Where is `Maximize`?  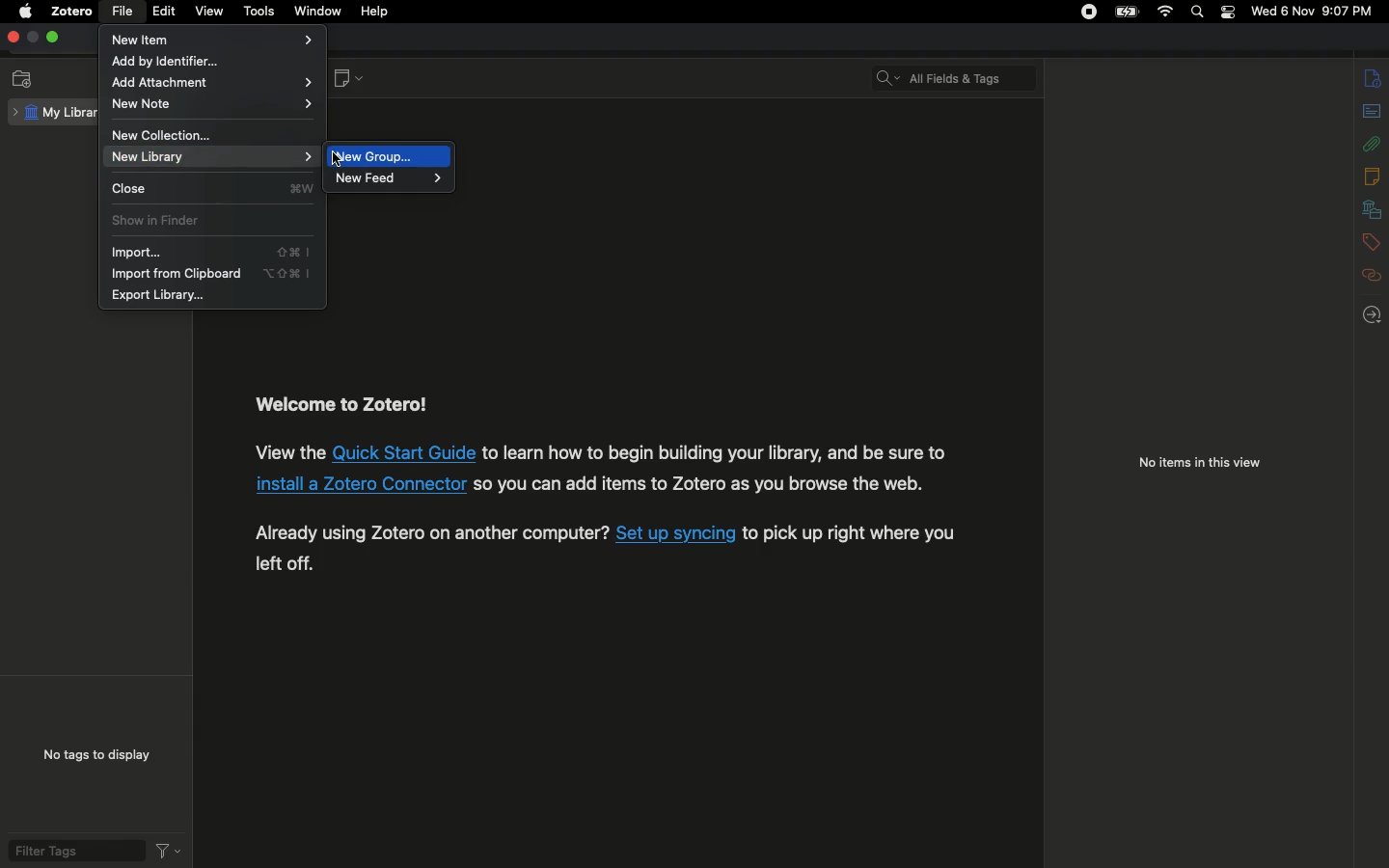
Maximize is located at coordinates (53, 39).